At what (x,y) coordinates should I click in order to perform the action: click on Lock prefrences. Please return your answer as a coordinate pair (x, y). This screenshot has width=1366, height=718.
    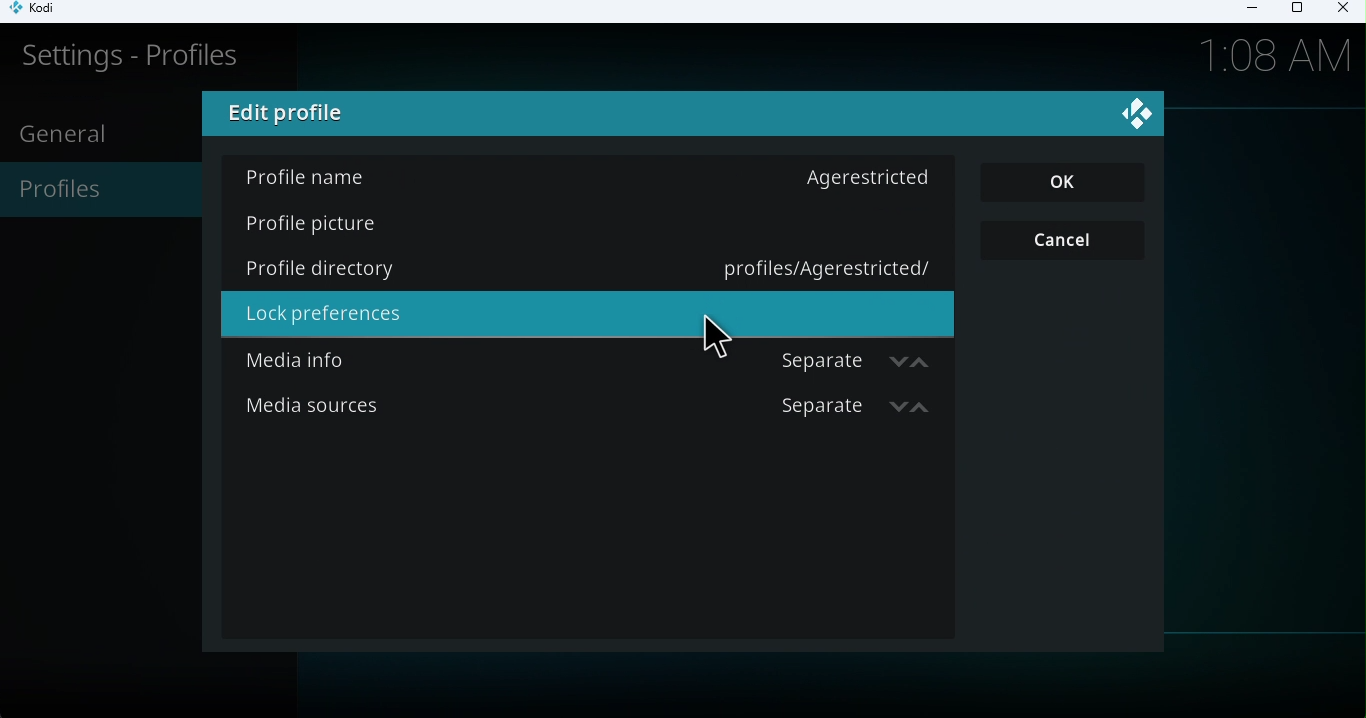
    Looking at the image, I should click on (578, 313).